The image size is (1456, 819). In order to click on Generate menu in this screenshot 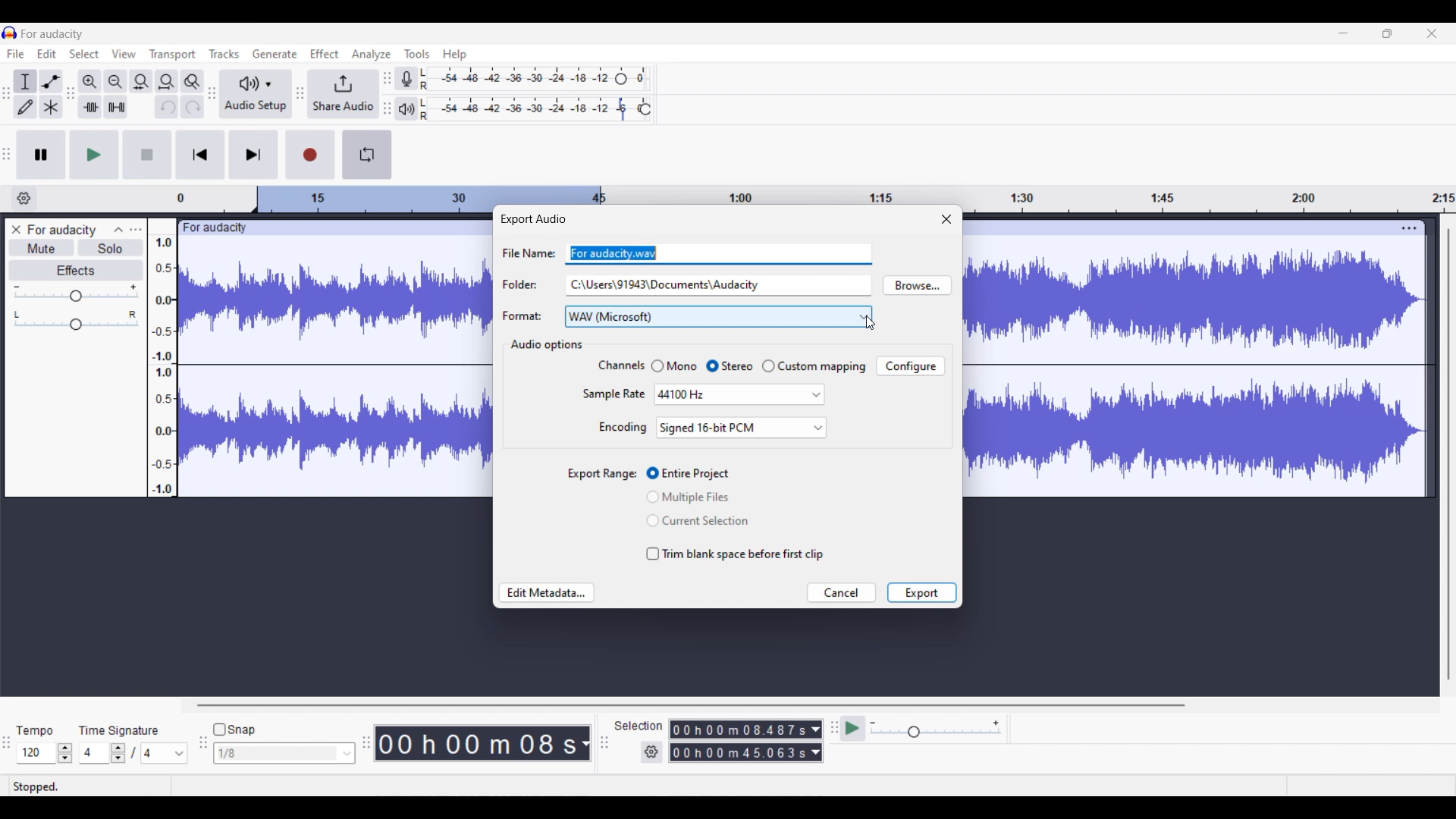, I will do `click(275, 54)`.